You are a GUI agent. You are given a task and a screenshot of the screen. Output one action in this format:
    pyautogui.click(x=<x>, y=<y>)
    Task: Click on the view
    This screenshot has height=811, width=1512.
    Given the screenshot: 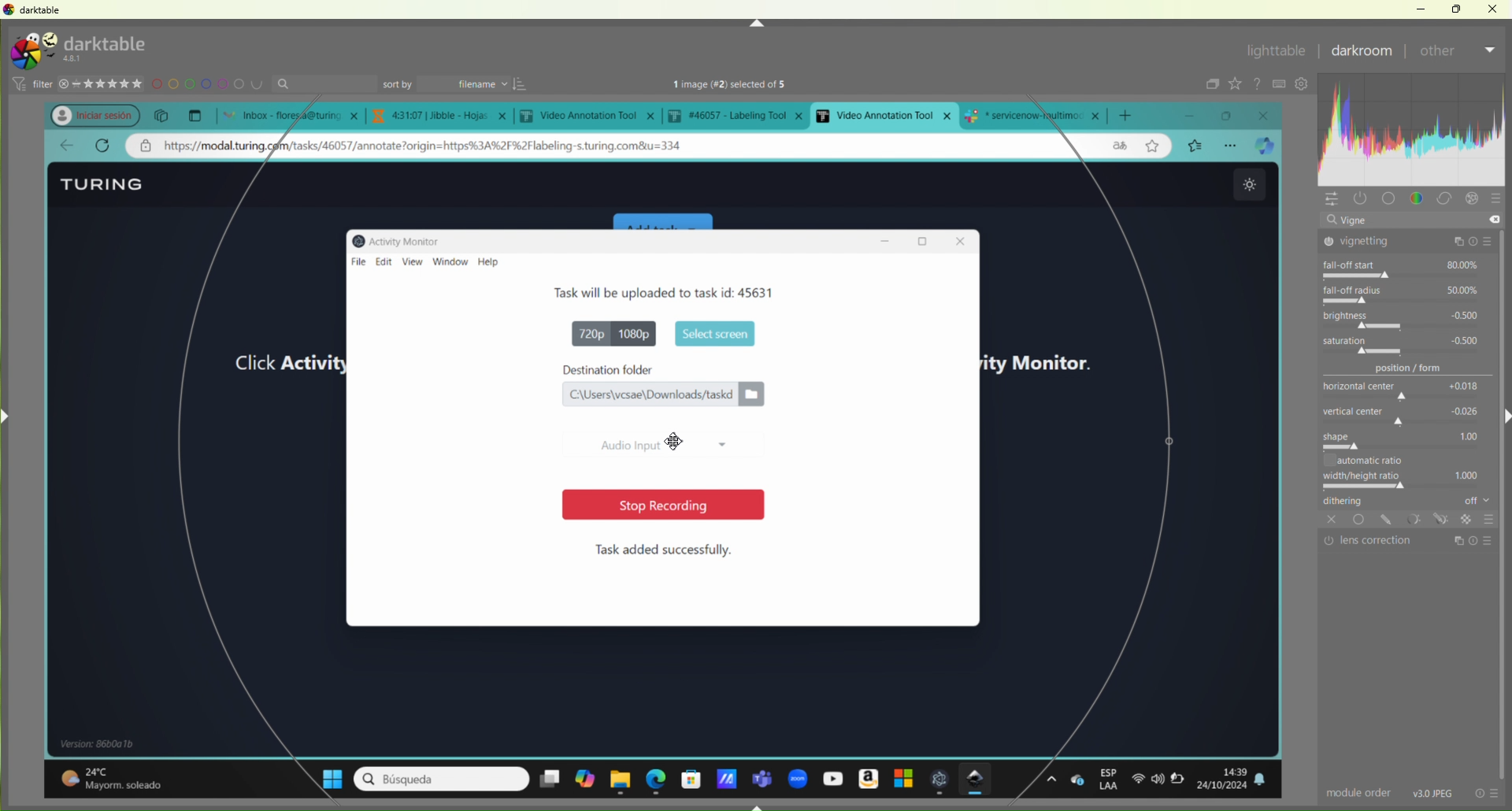 What is the action you would take?
    pyautogui.click(x=412, y=262)
    